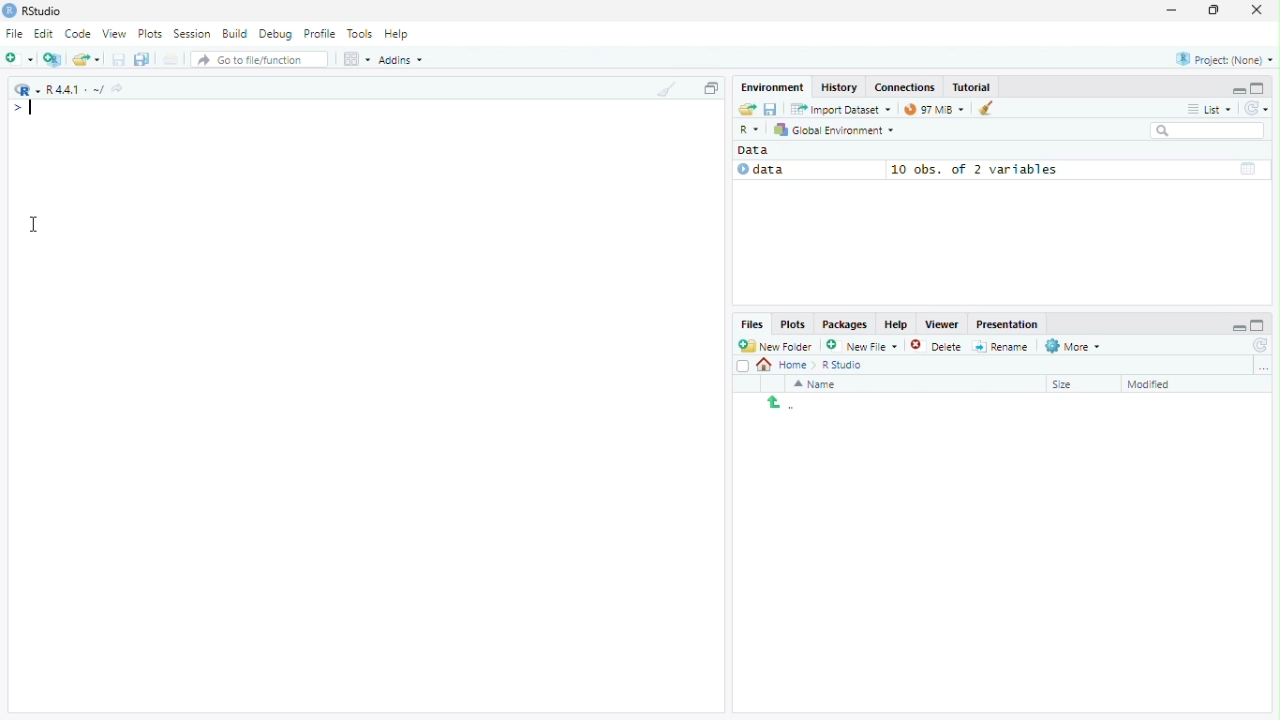 The width and height of the screenshot is (1280, 720). I want to click on Files, so click(753, 325).